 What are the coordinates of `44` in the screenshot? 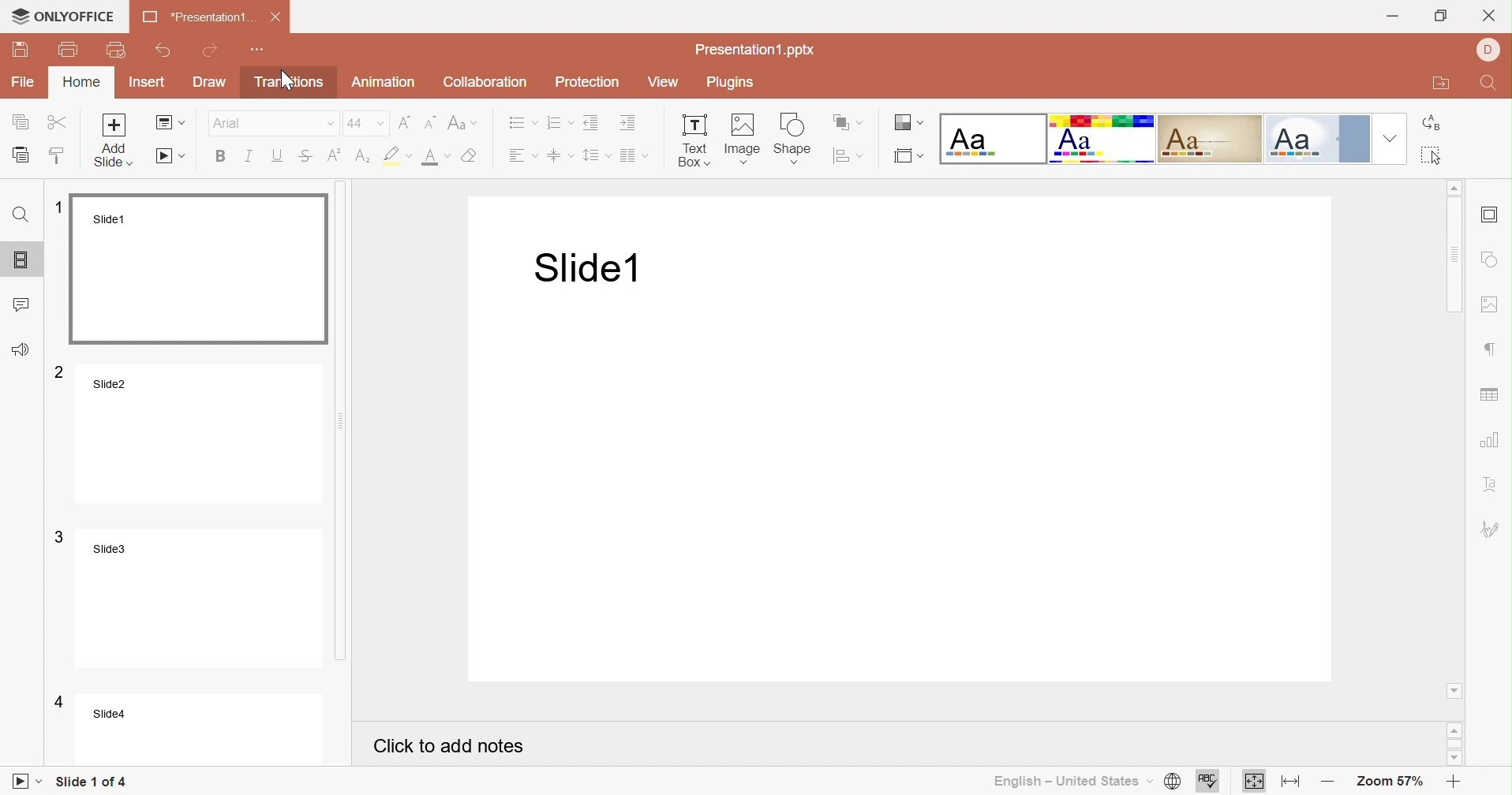 It's located at (368, 123).